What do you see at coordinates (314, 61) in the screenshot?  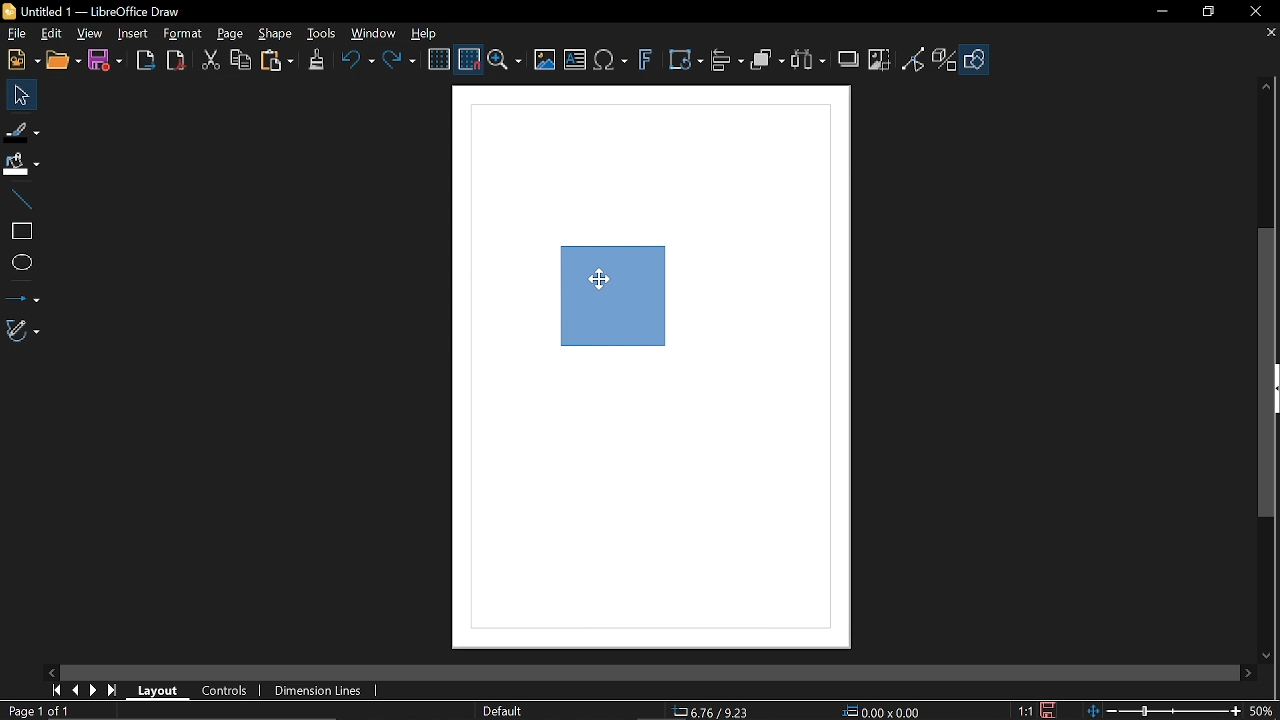 I see `Clone` at bounding box center [314, 61].